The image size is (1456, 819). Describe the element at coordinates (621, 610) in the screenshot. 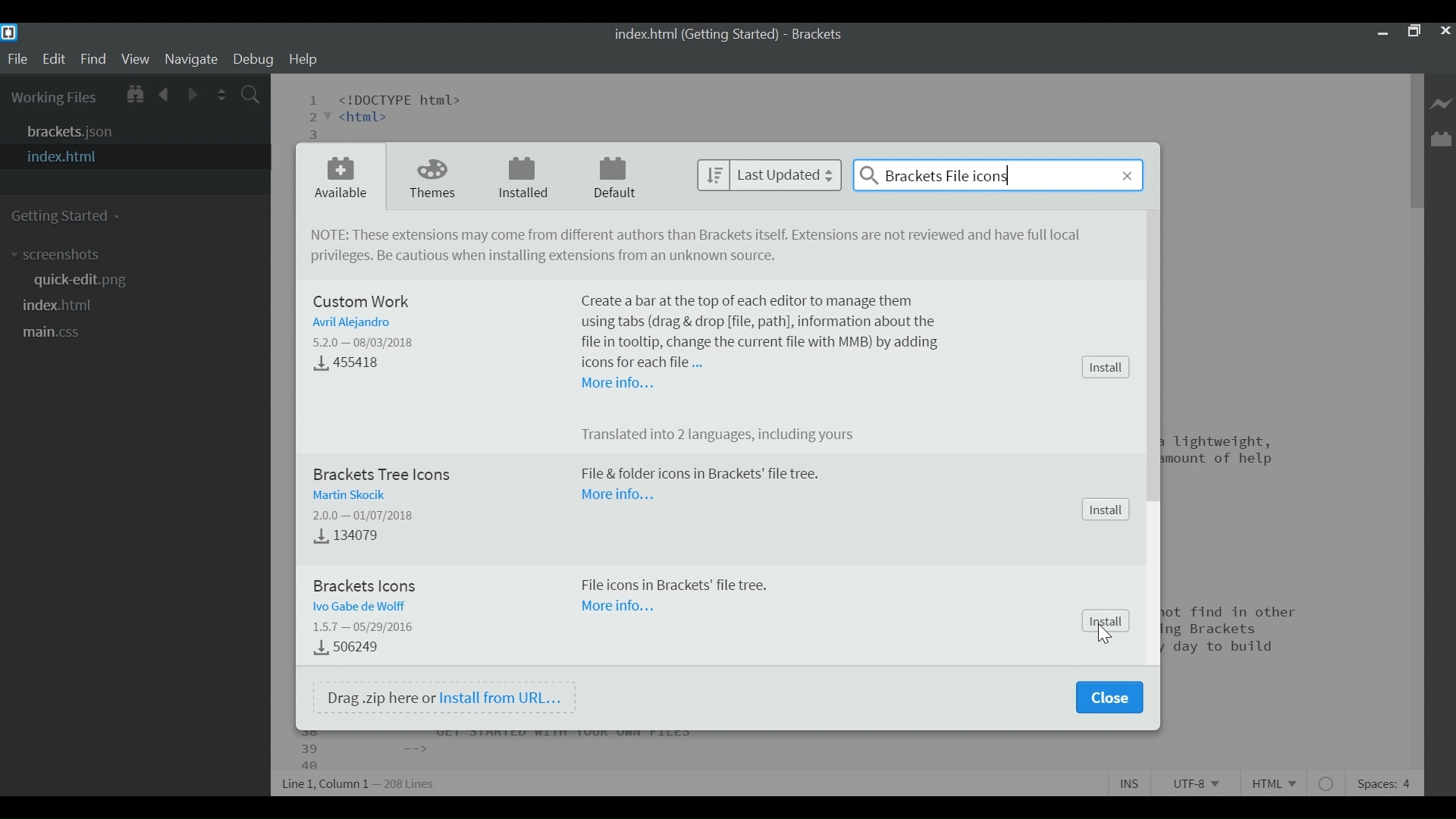

I see `More Information` at that location.